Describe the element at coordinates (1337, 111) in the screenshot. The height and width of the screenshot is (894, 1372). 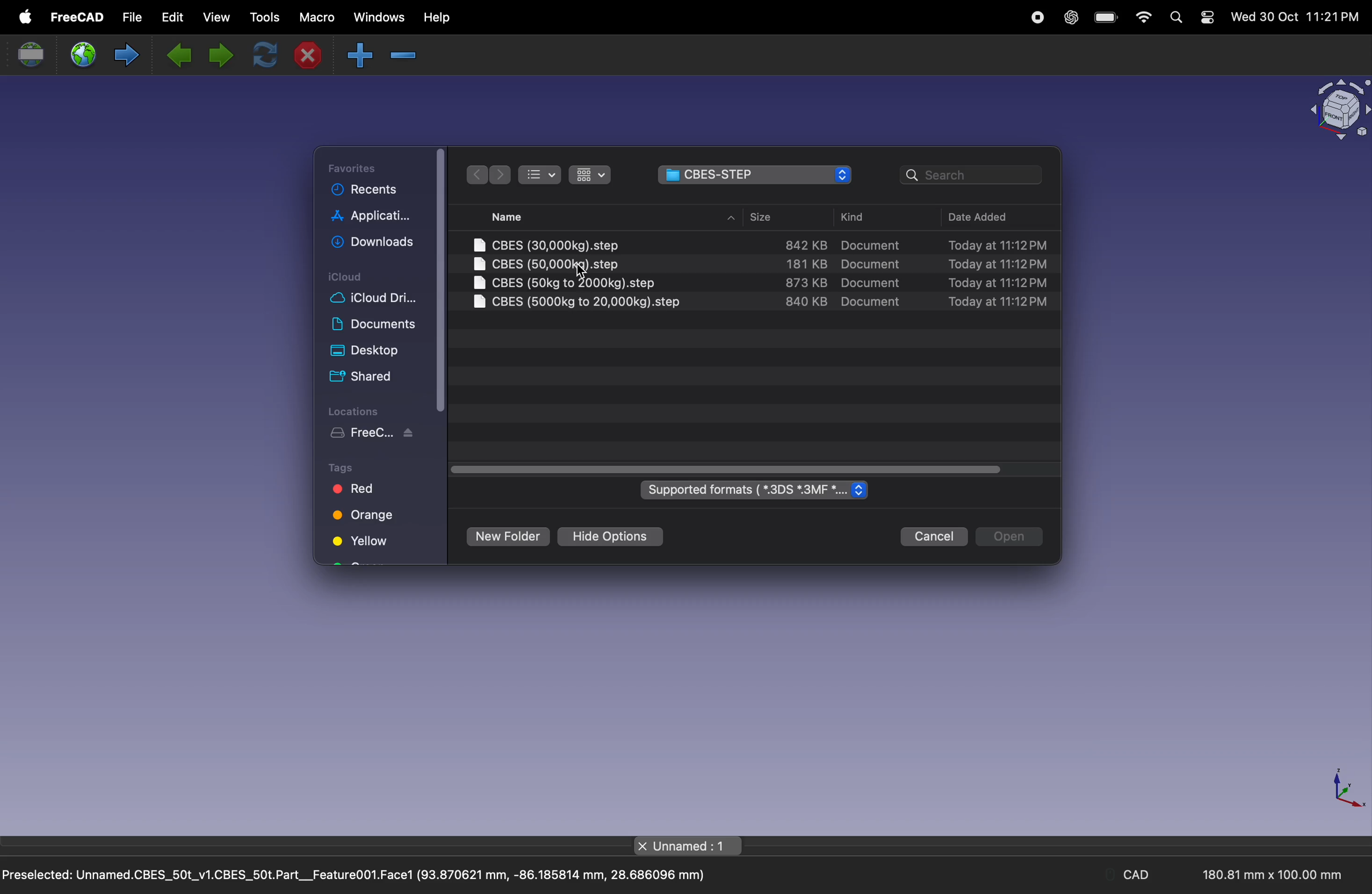
I see `object view` at that location.